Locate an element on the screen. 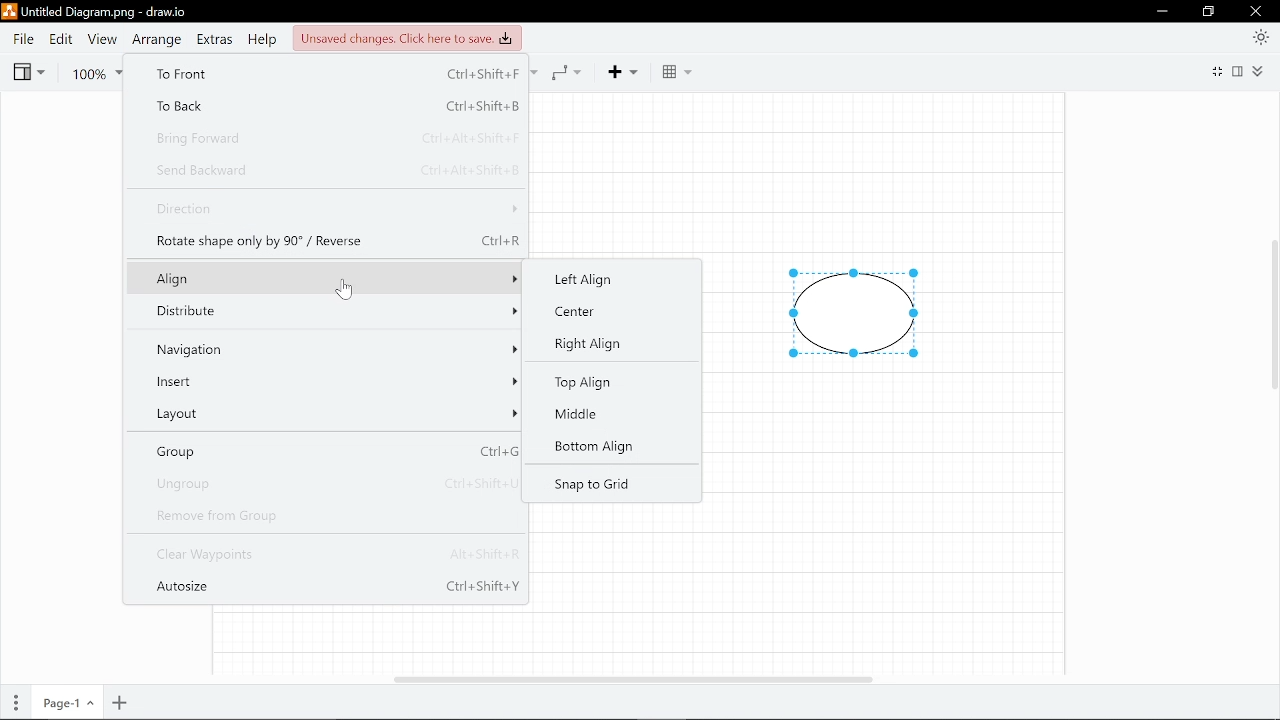 The height and width of the screenshot is (720, 1280). Group is located at coordinates (330, 450).